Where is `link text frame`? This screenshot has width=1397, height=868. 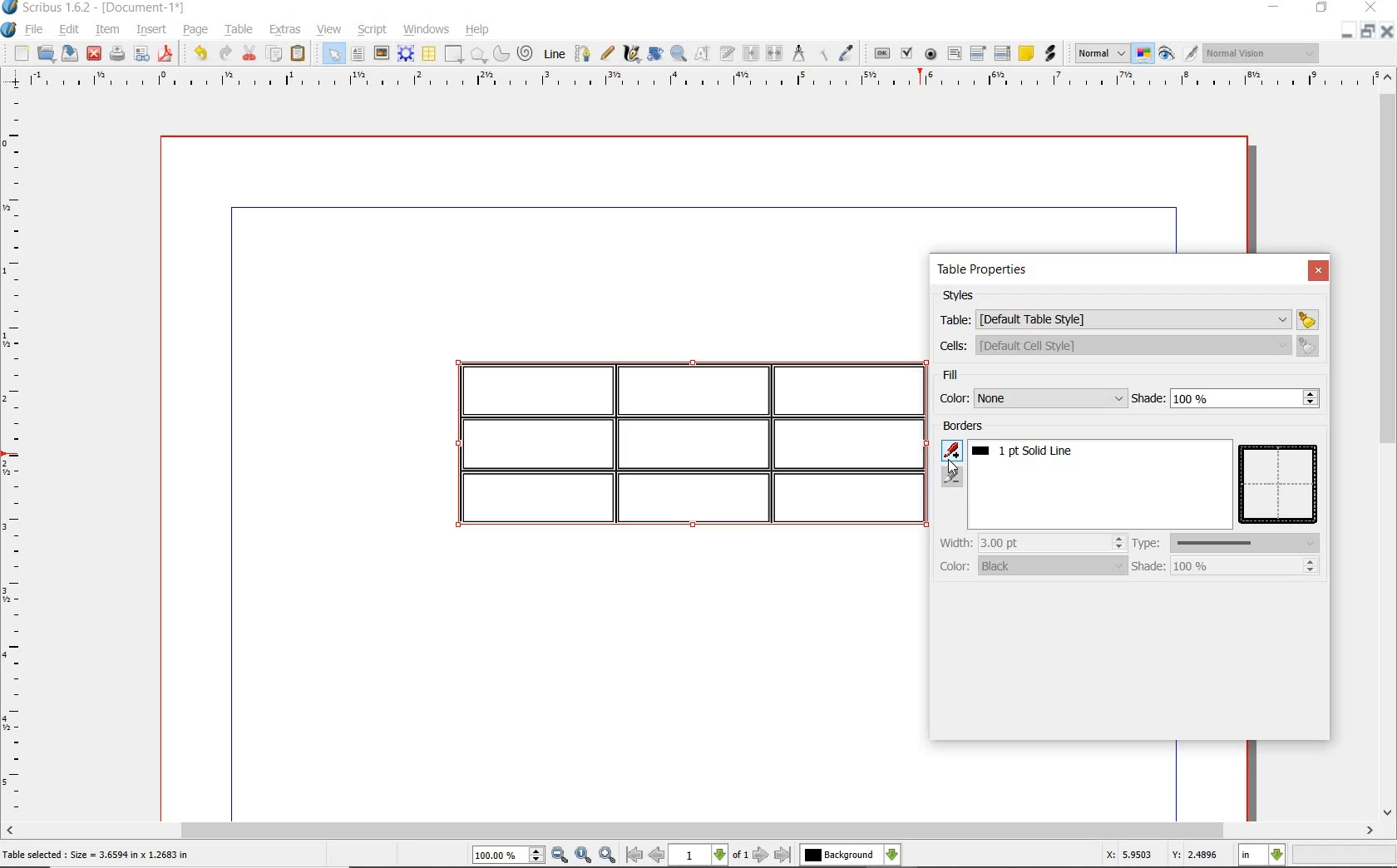
link text frame is located at coordinates (750, 53).